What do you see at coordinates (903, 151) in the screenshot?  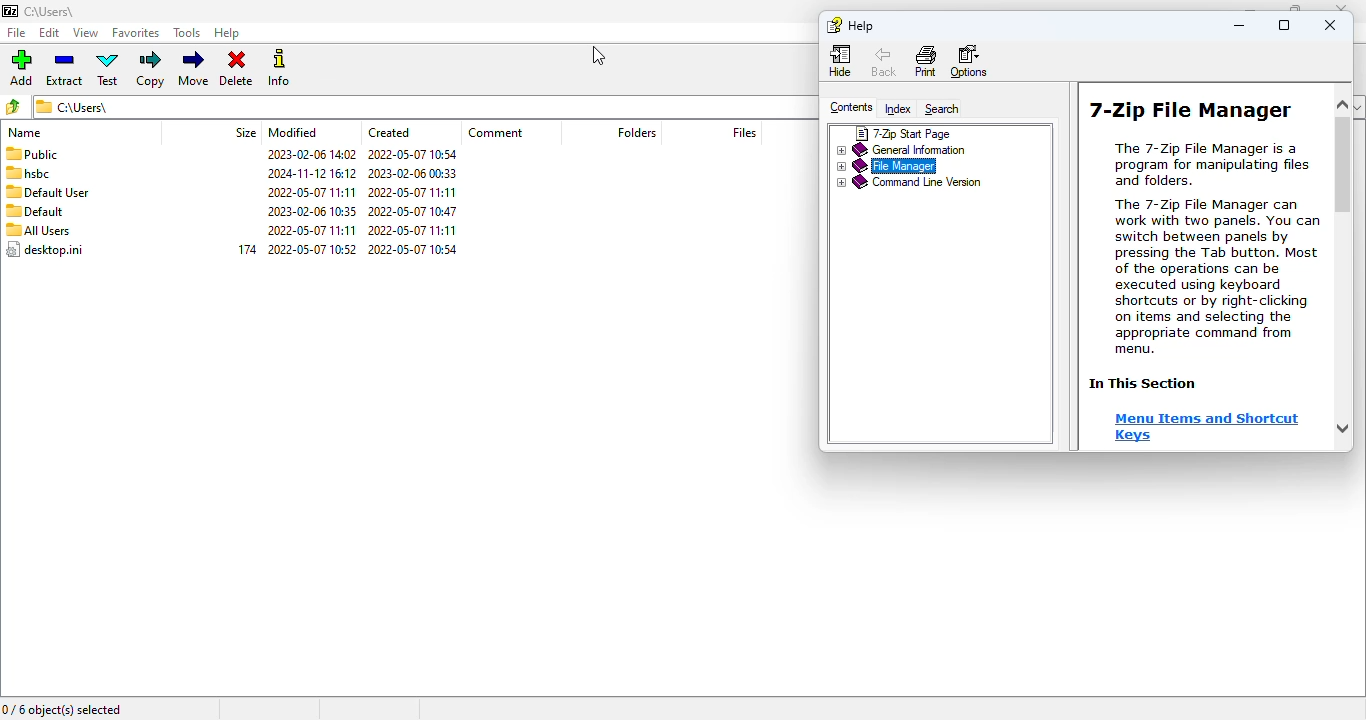 I see `general information` at bounding box center [903, 151].